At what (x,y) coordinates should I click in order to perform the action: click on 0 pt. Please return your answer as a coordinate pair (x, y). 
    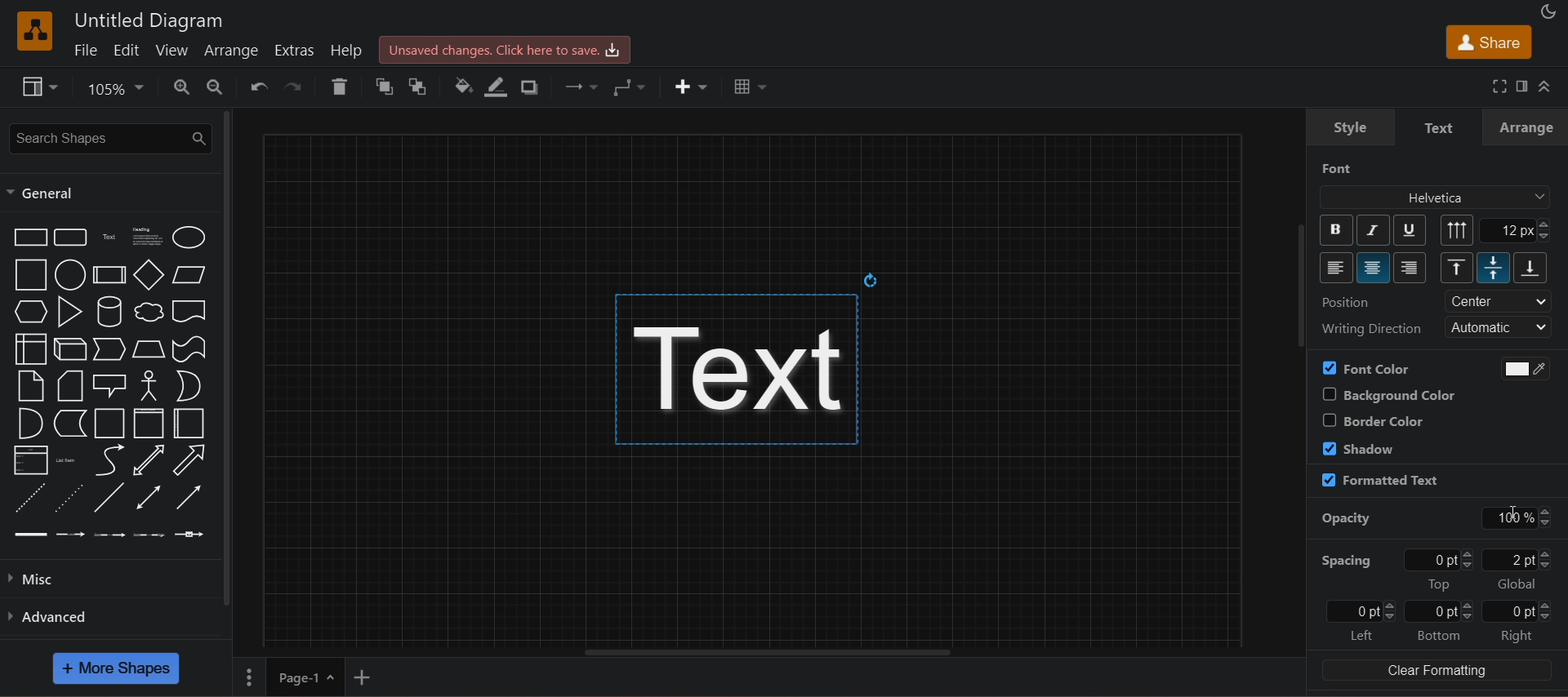
    Looking at the image, I should click on (1361, 611).